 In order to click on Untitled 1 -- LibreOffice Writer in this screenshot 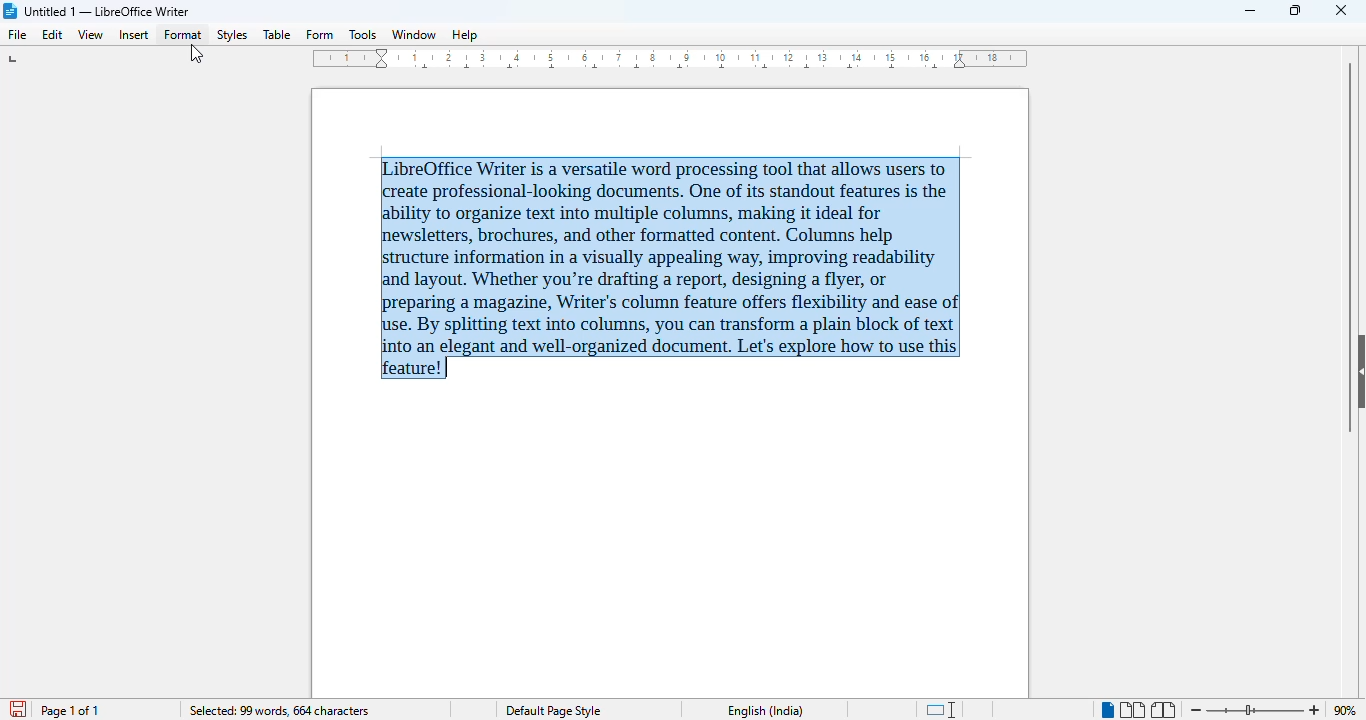, I will do `click(110, 10)`.